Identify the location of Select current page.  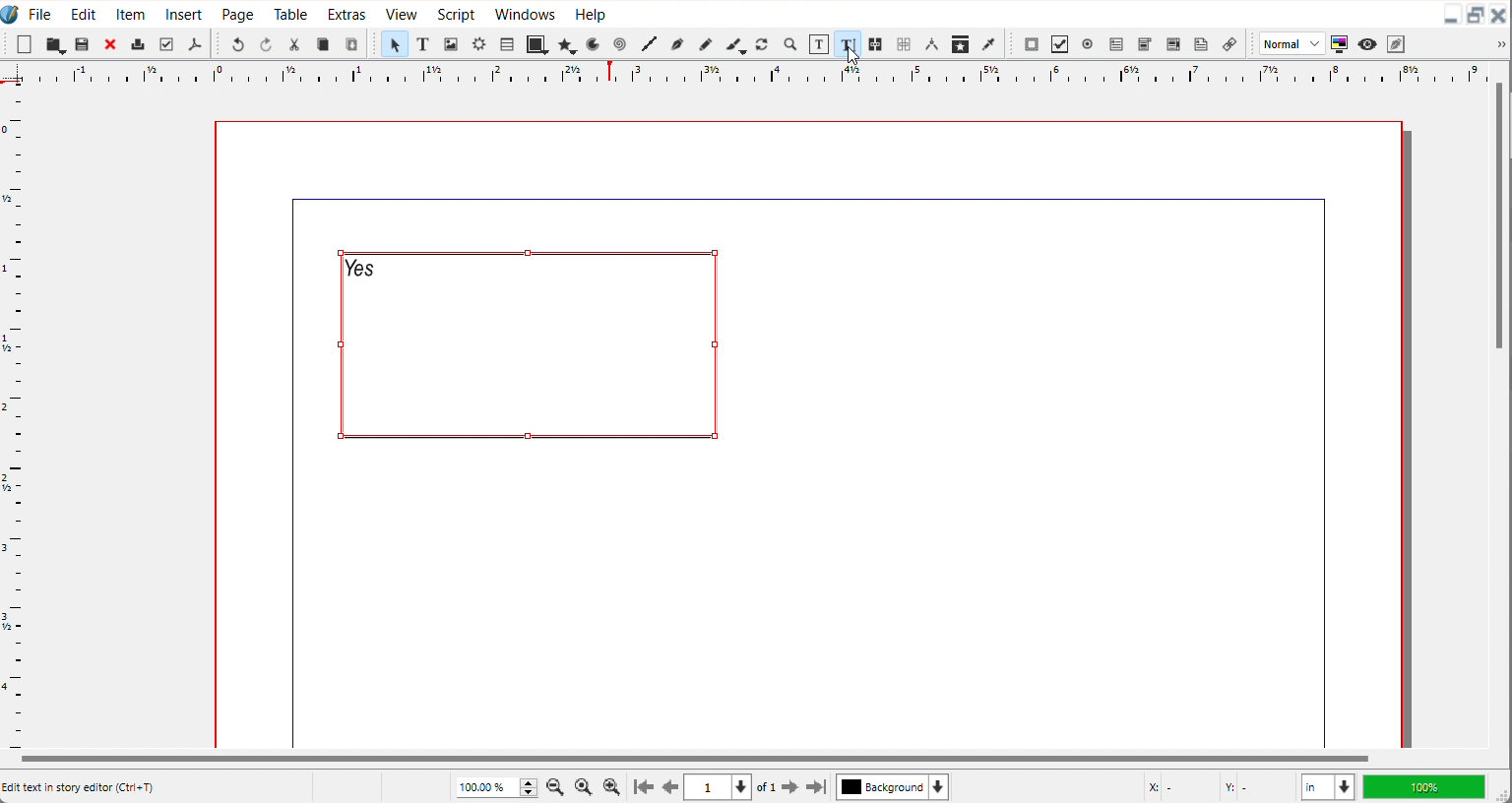
(718, 787).